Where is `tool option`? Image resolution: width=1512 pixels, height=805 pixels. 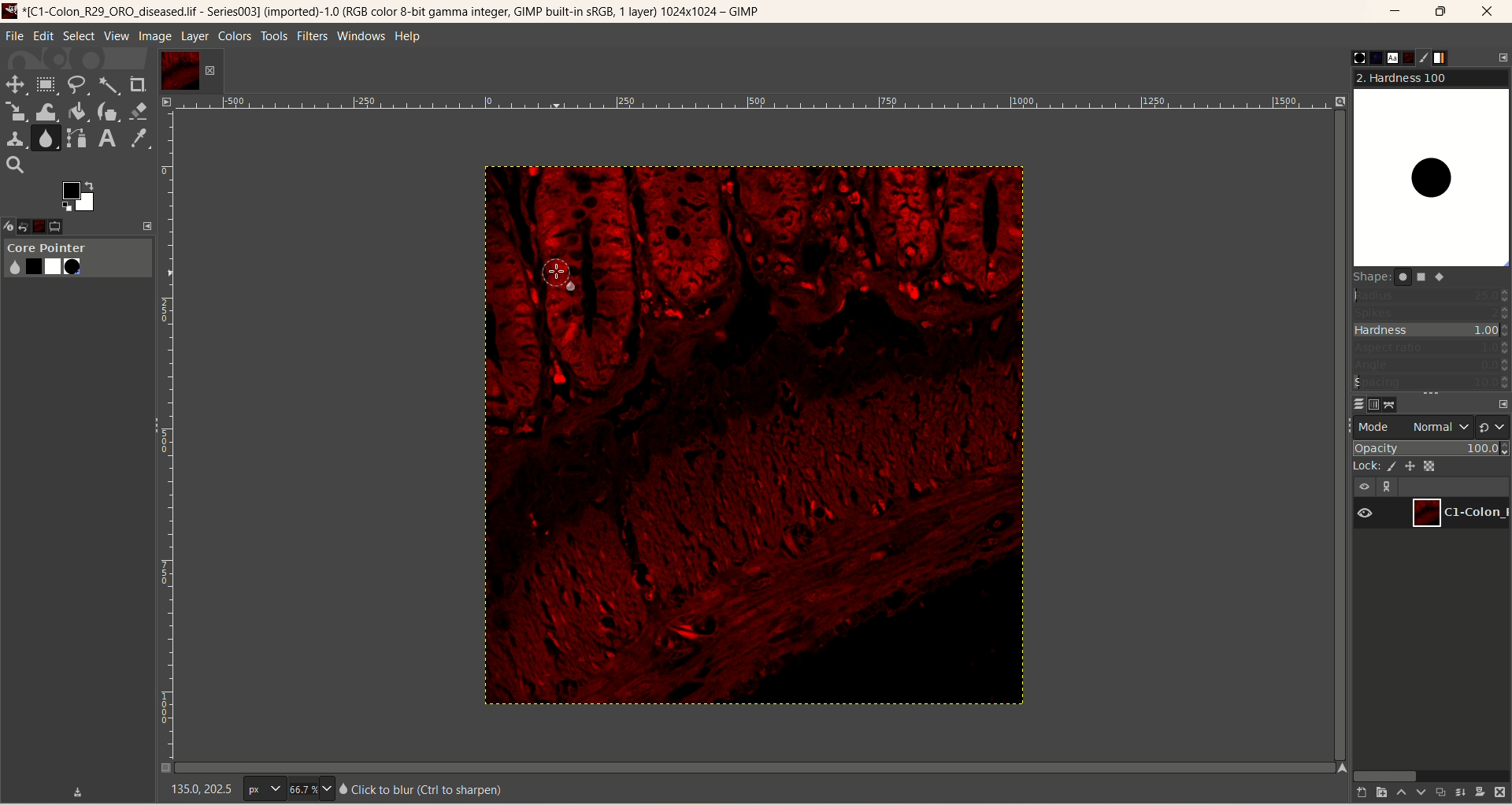 tool option is located at coordinates (70, 228).